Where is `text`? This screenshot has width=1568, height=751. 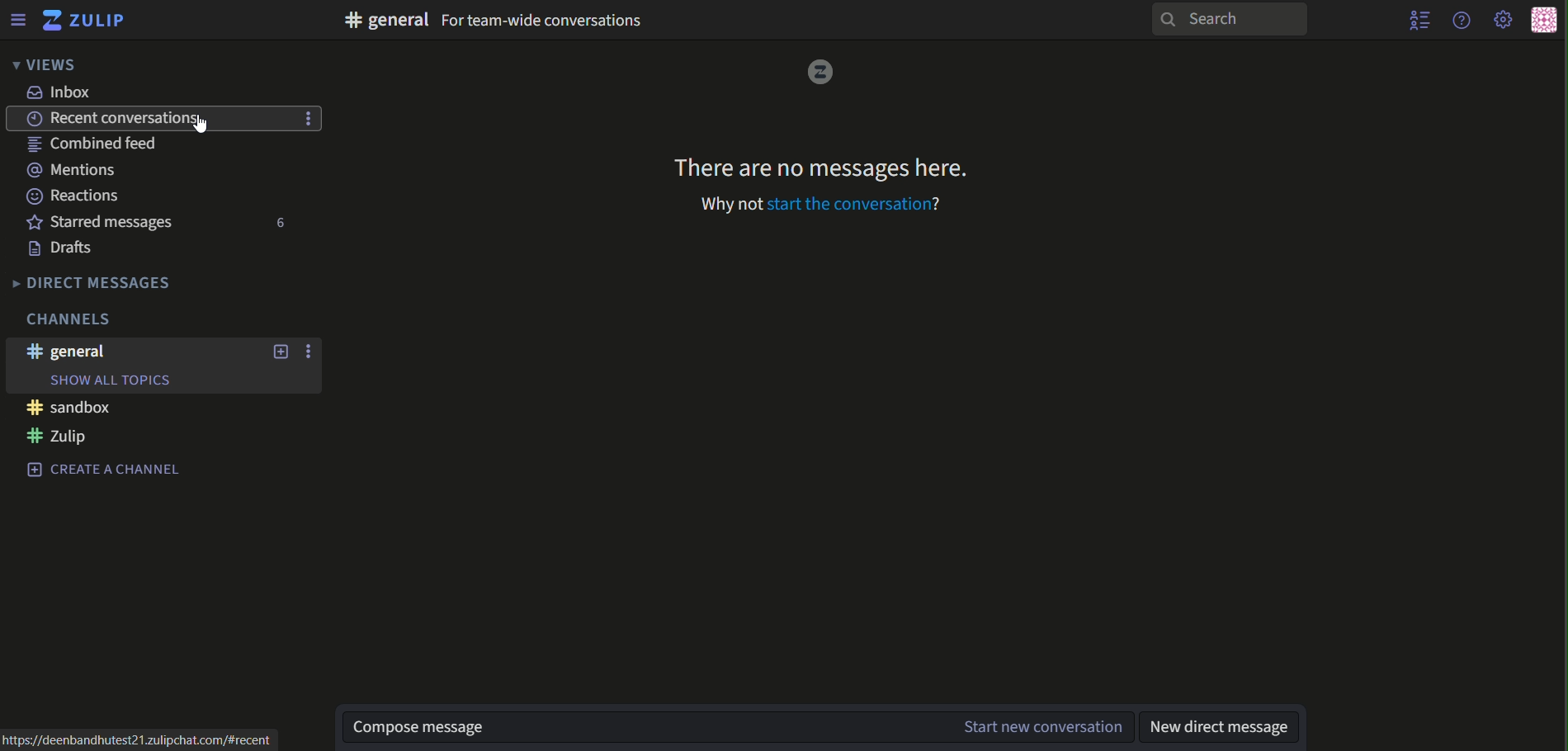 text is located at coordinates (101, 145).